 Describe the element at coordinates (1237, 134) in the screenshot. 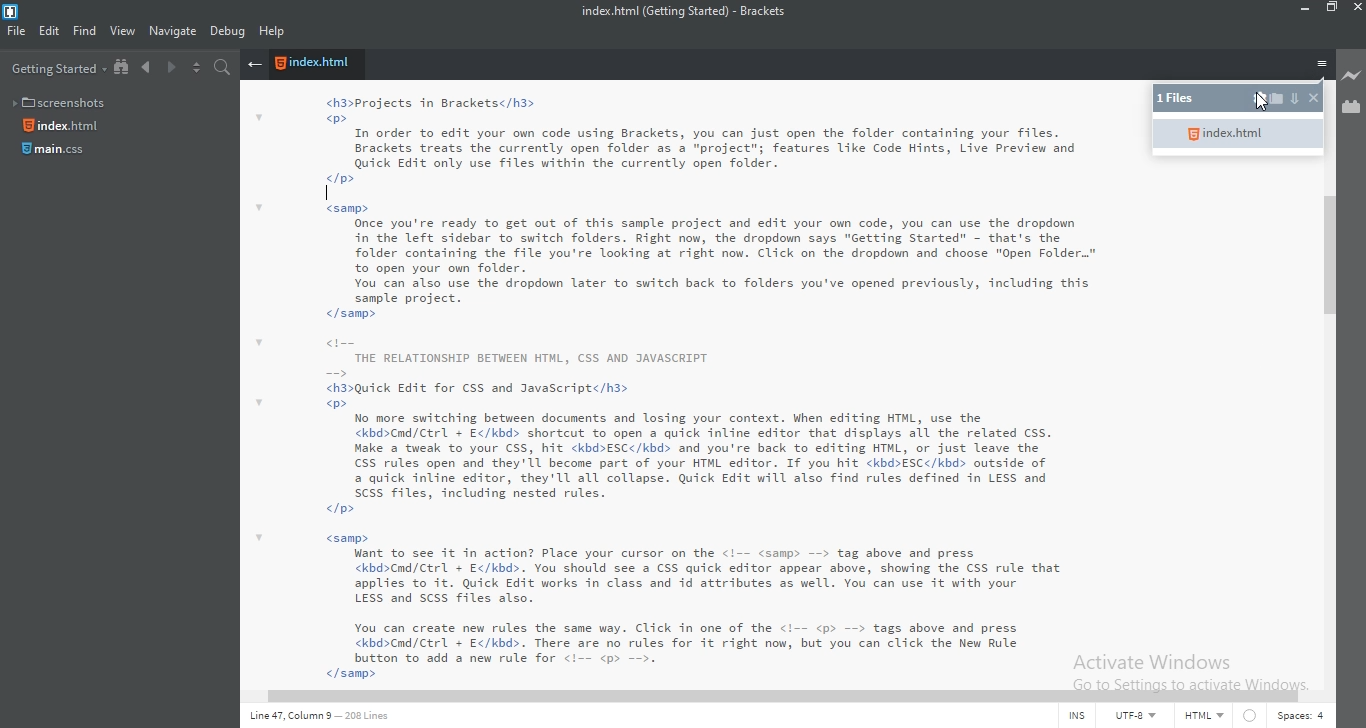

I see `index.html` at that location.